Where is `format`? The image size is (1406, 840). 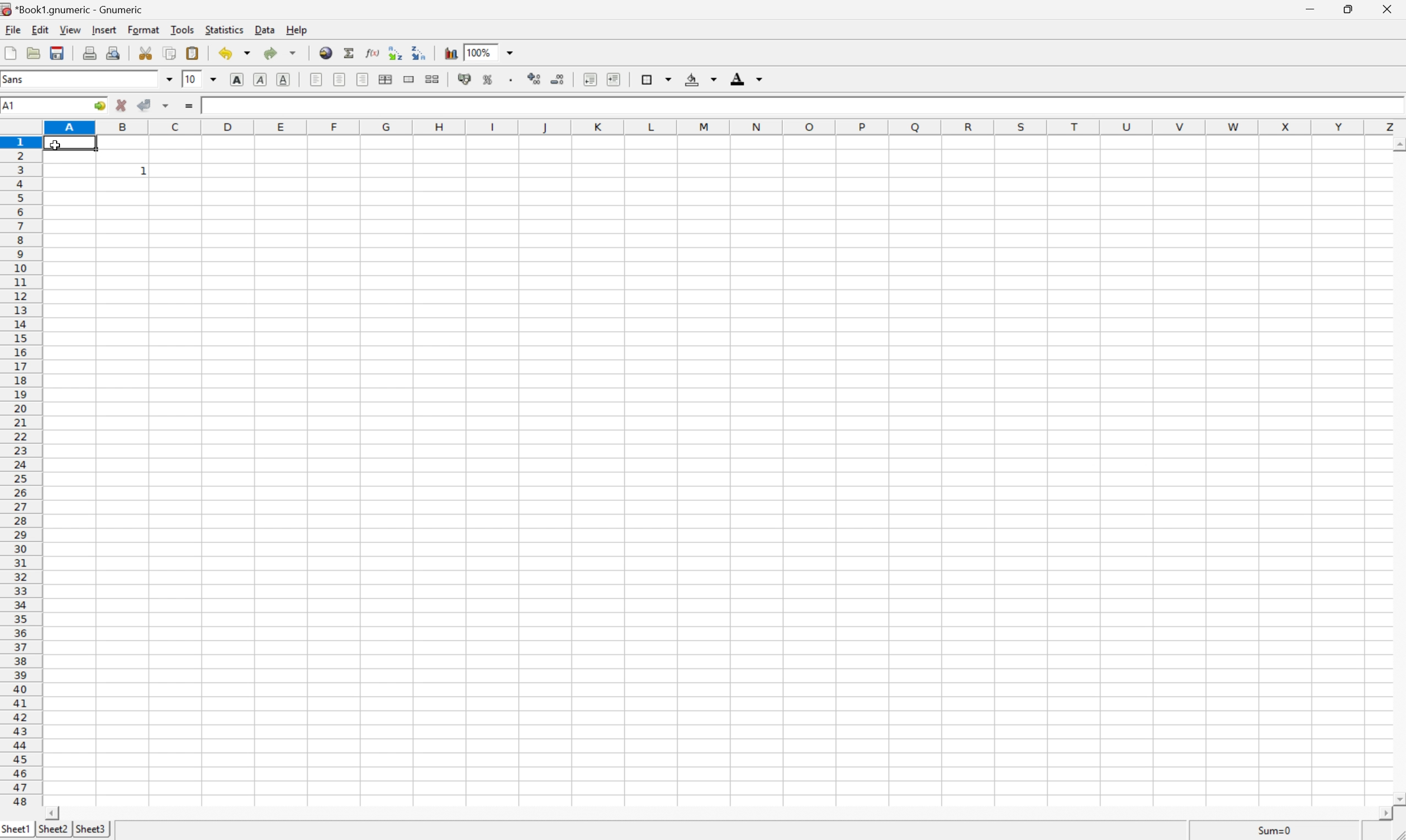 format is located at coordinates (143, 31).